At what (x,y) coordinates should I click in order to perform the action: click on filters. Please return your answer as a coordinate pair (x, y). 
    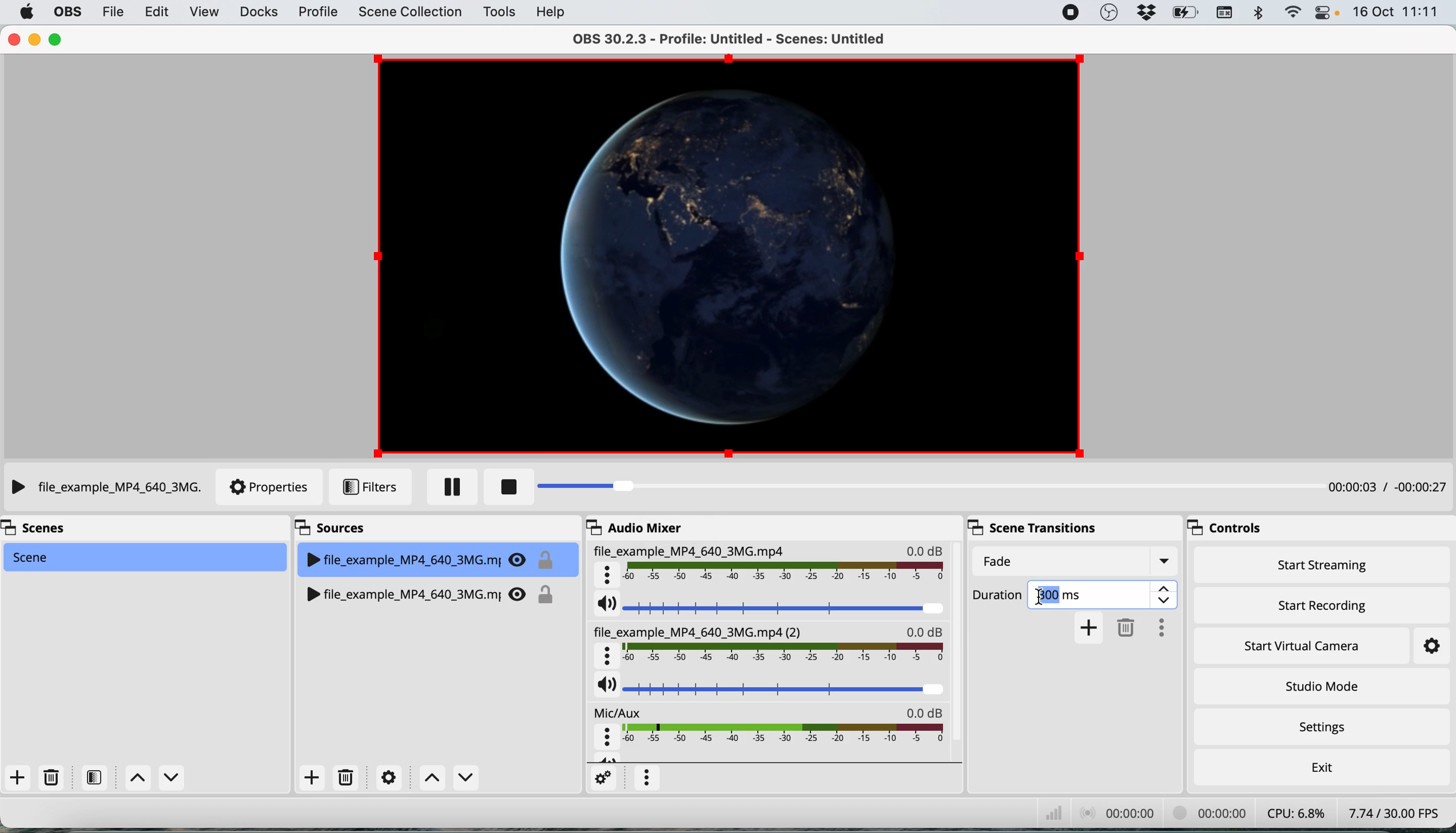
    Looking at the image, I should click on (370, 486).